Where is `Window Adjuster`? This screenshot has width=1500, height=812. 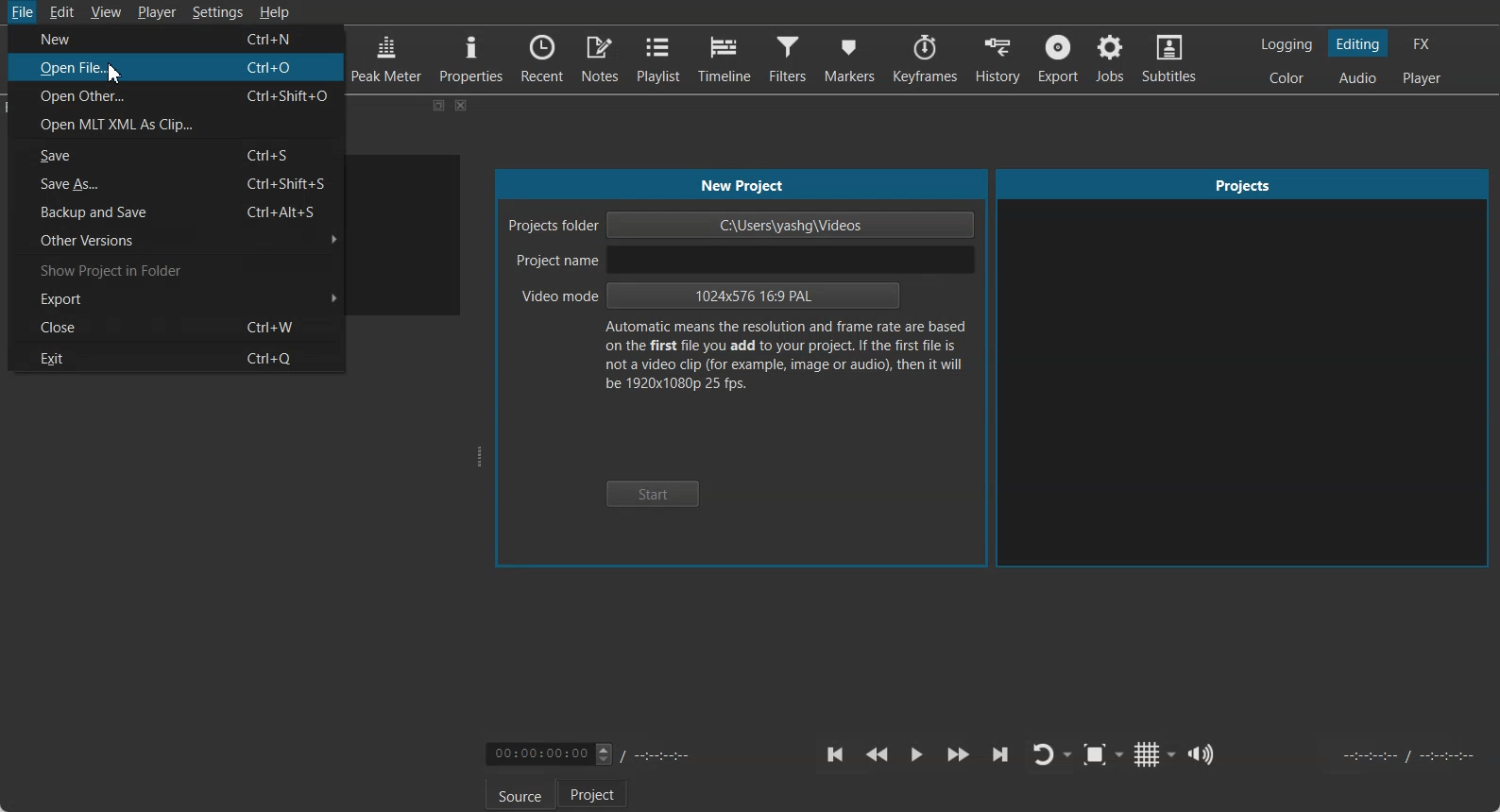 Window Adjuster is located at coordinates (481, 457).